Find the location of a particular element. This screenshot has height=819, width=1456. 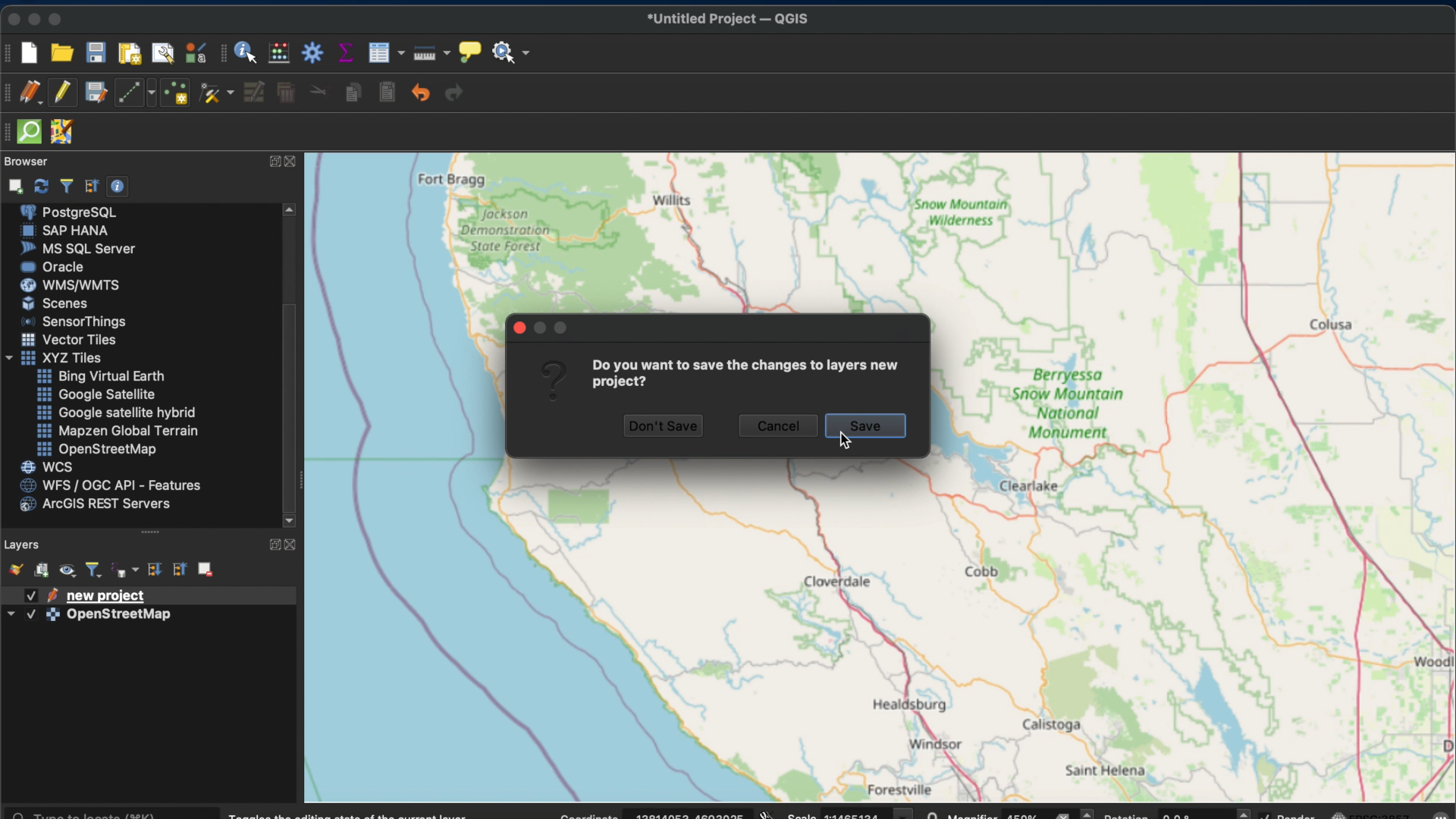

digitizing tool bar is located at coordinates (10, 93).